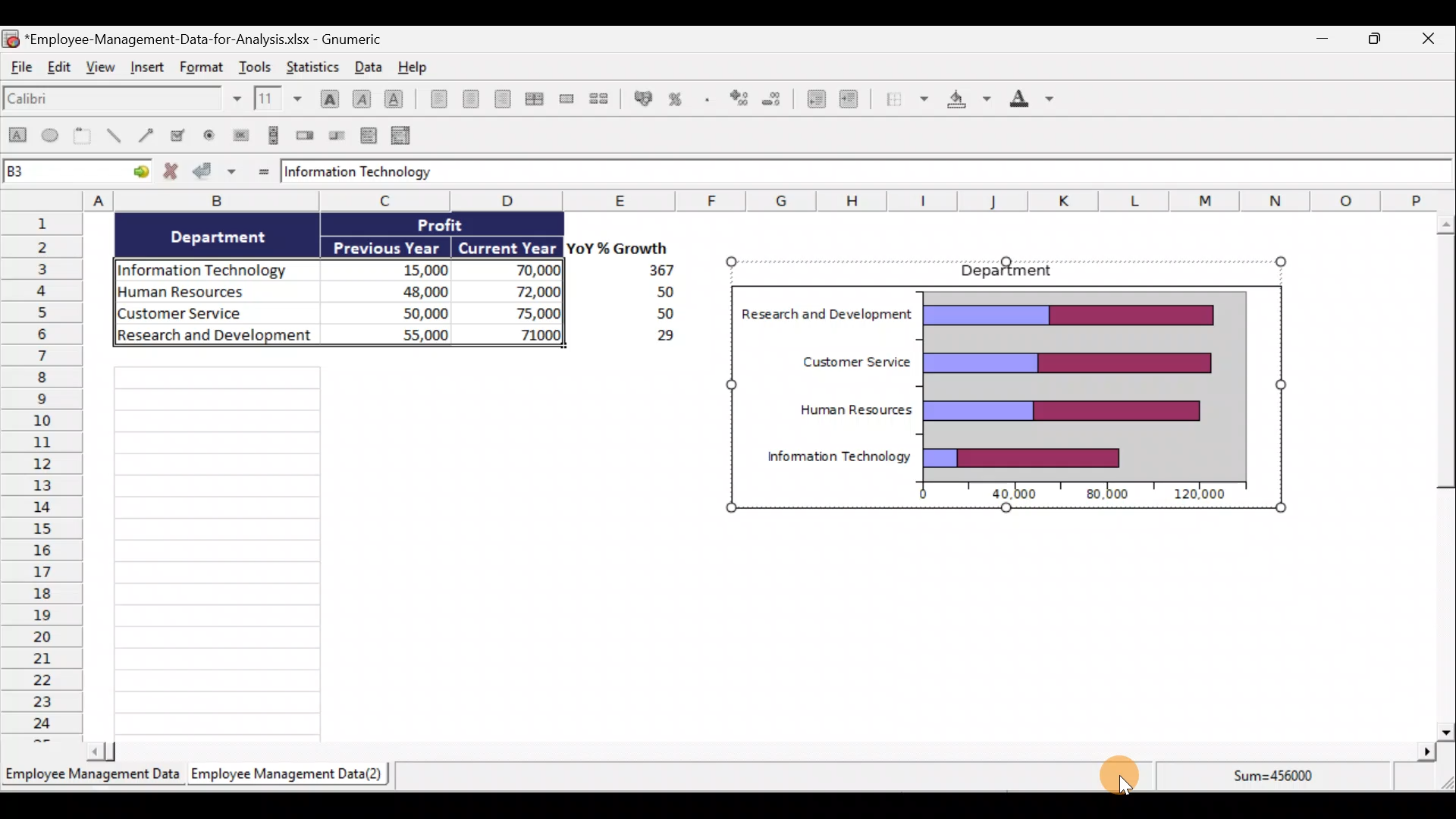 The width and height of the screenshot is (1456, 819). Describe the element at coordinates (86, 137) in the screenshot. I see `Create a frame` at that location.